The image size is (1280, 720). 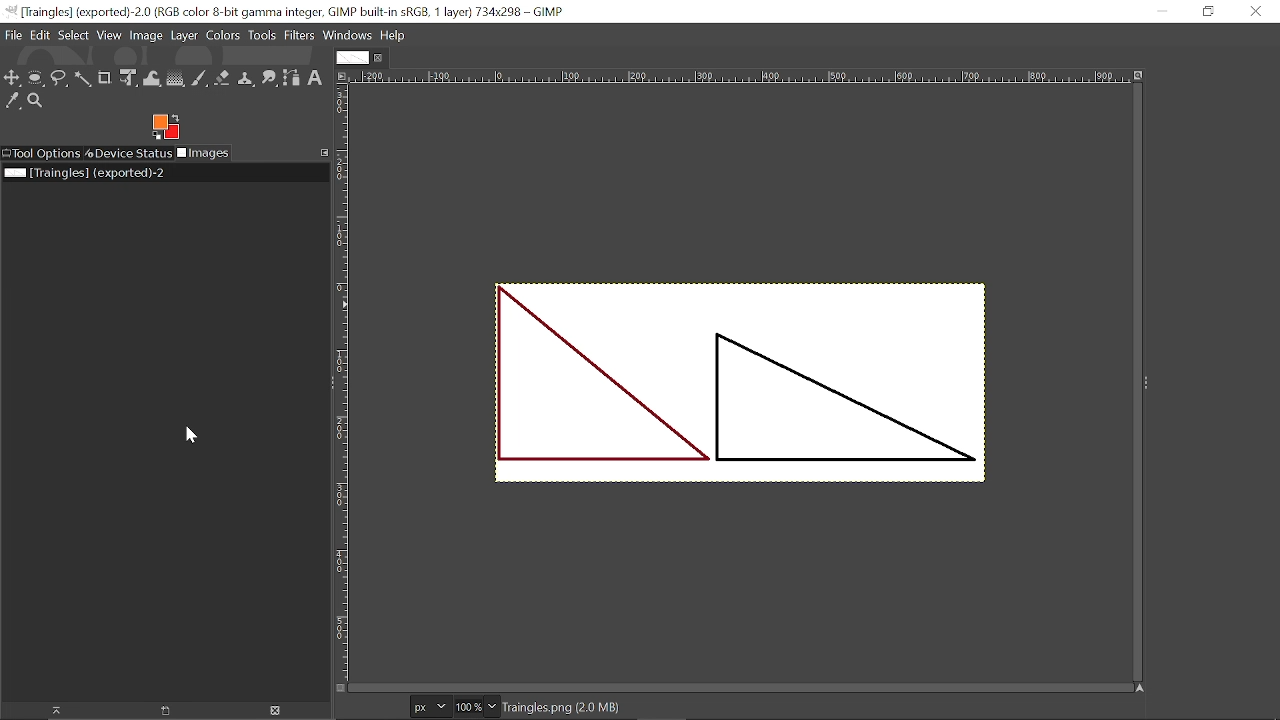 What do you see at coordinates (431, 706) in the screenshot?
I see `Pixel` at bounding box center [431, 706].